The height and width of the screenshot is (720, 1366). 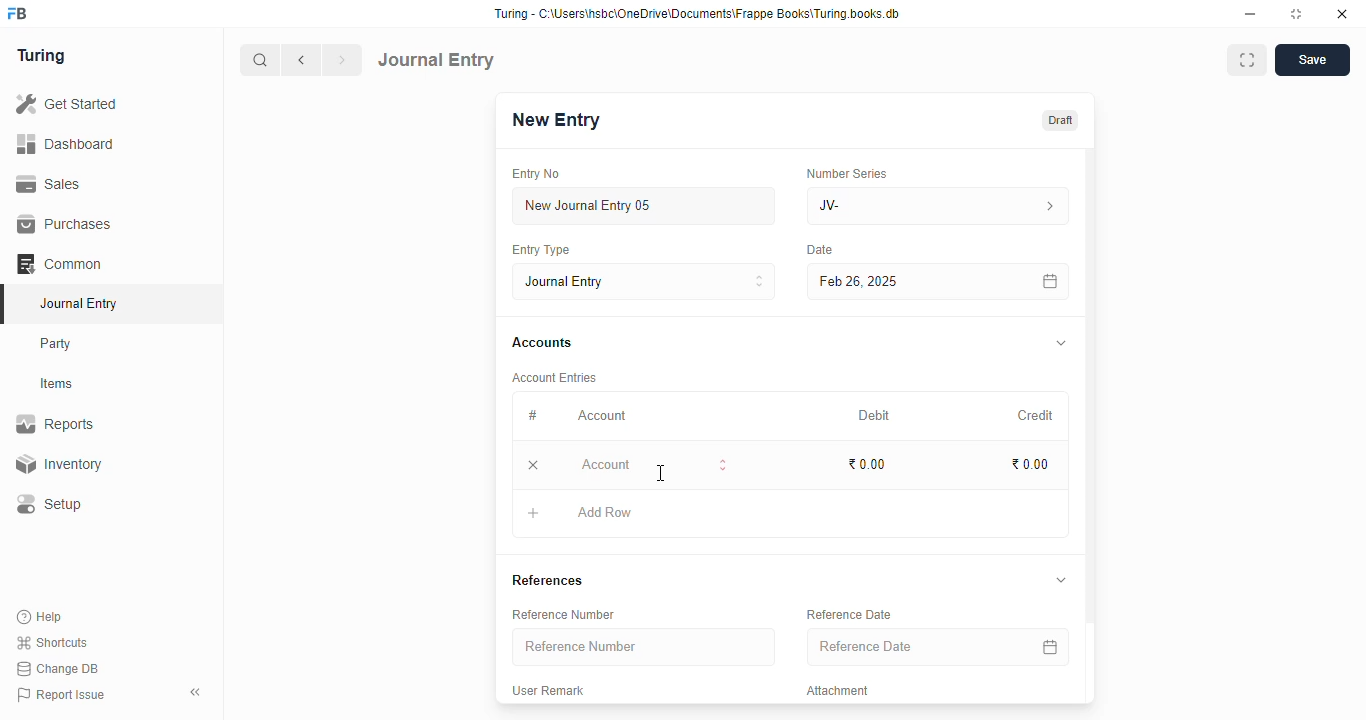 What do you see at coordinates (554, 377) in the screenshot?
I see `account entries` at bounding box center [554, 377].